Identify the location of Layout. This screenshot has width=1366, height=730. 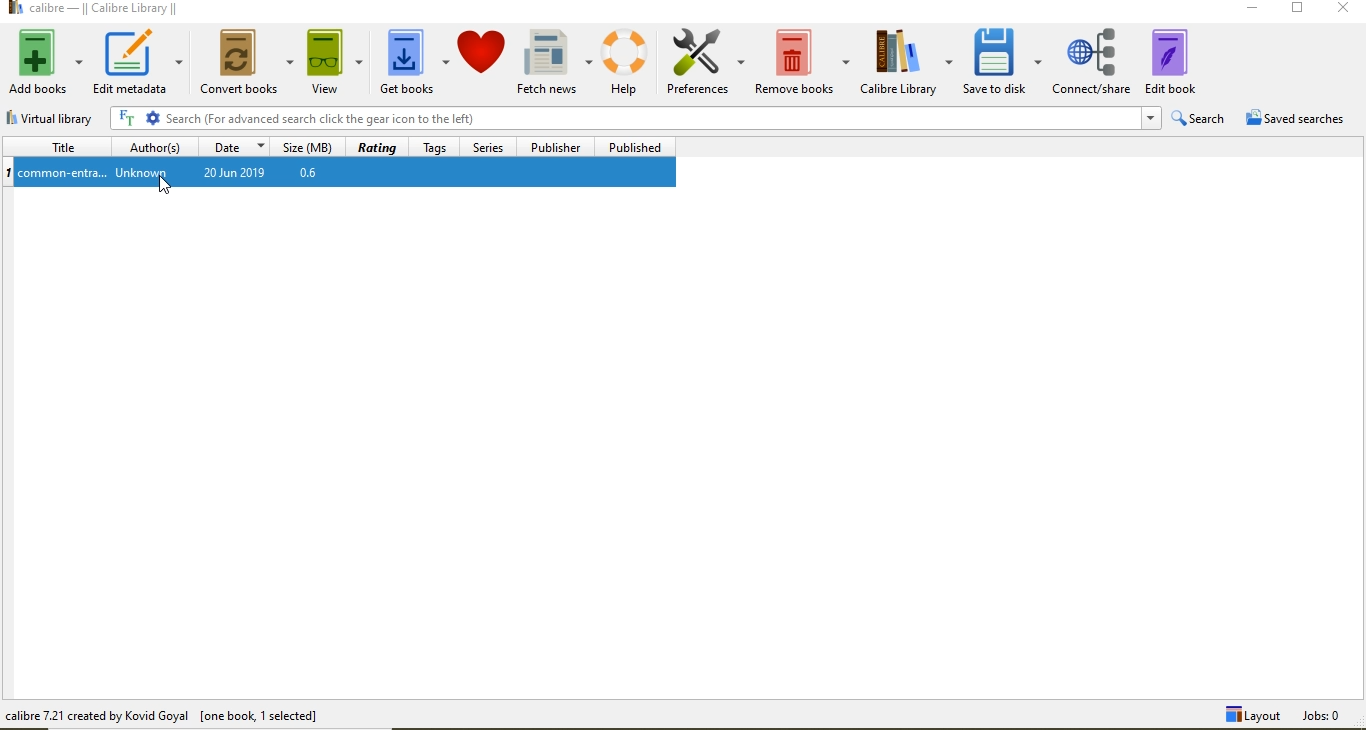
(1250, 716).